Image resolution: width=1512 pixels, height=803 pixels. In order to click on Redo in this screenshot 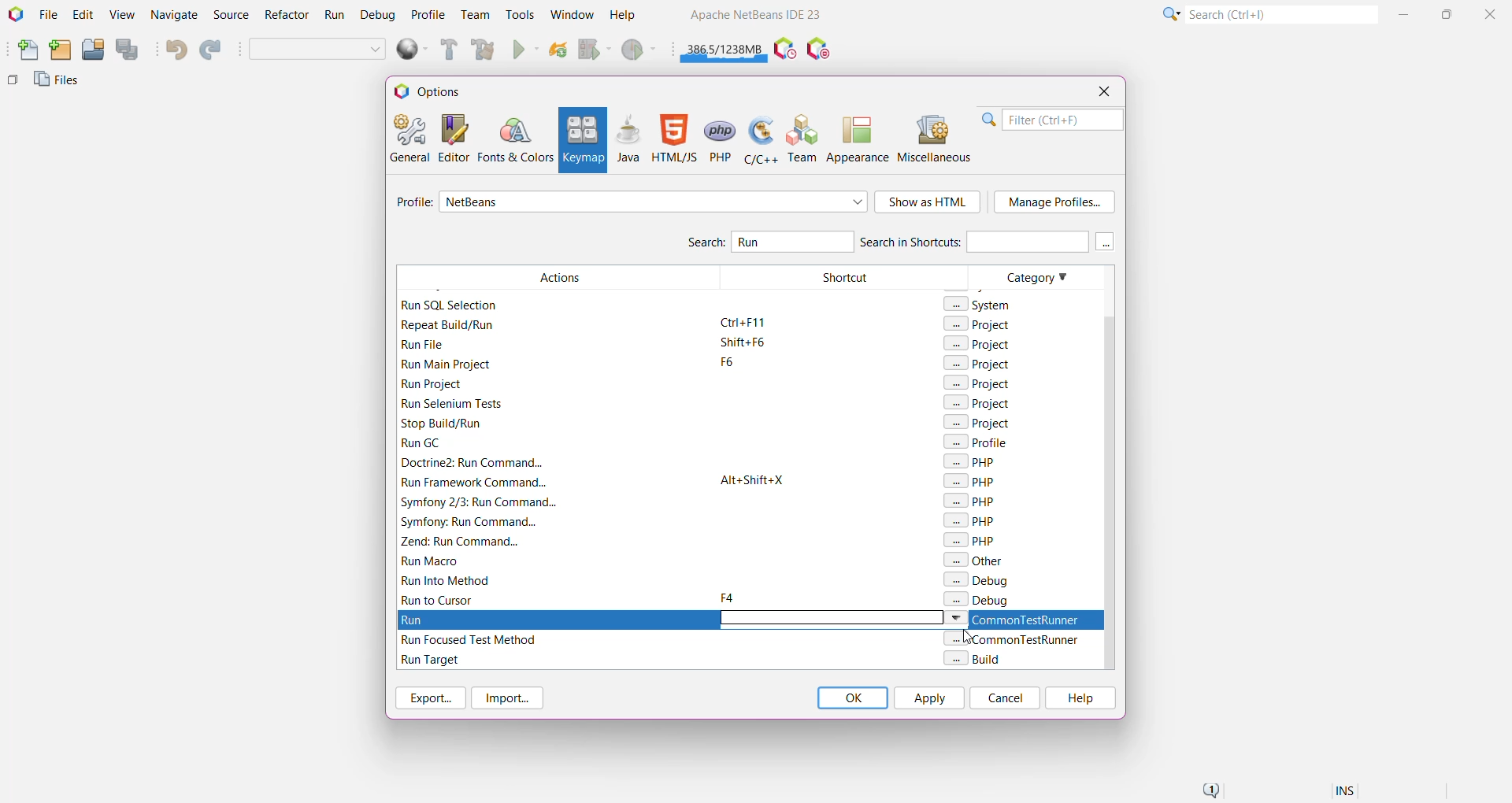, I will do `click(213, 50)`.